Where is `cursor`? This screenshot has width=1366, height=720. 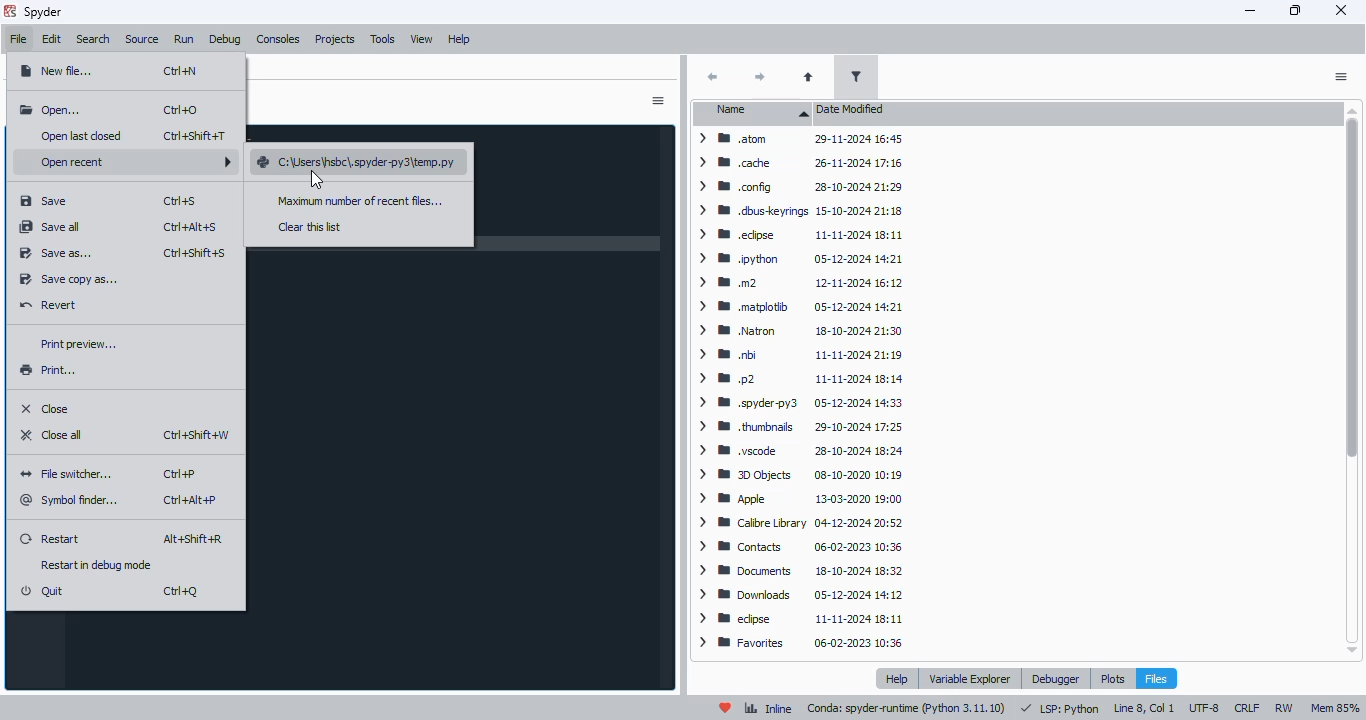
cursor is located at coordinates (317, 179).